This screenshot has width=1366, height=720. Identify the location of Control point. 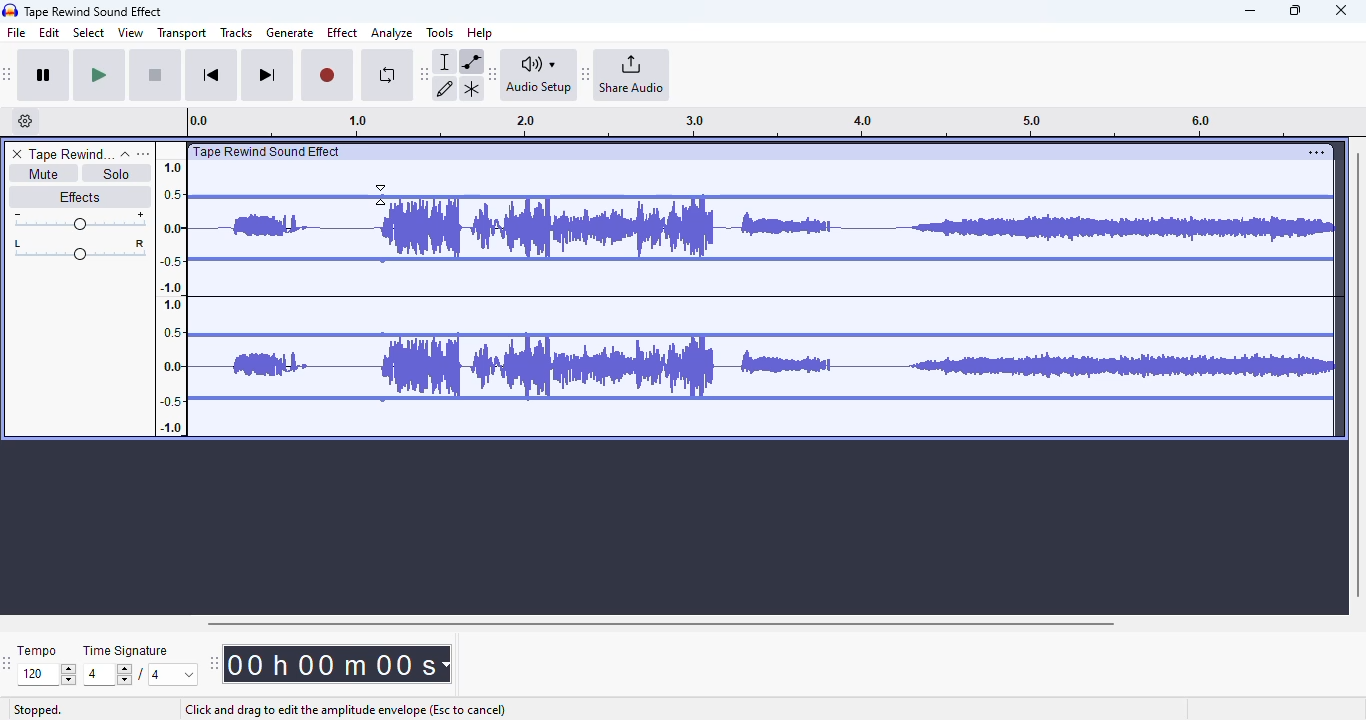
(382, 335).